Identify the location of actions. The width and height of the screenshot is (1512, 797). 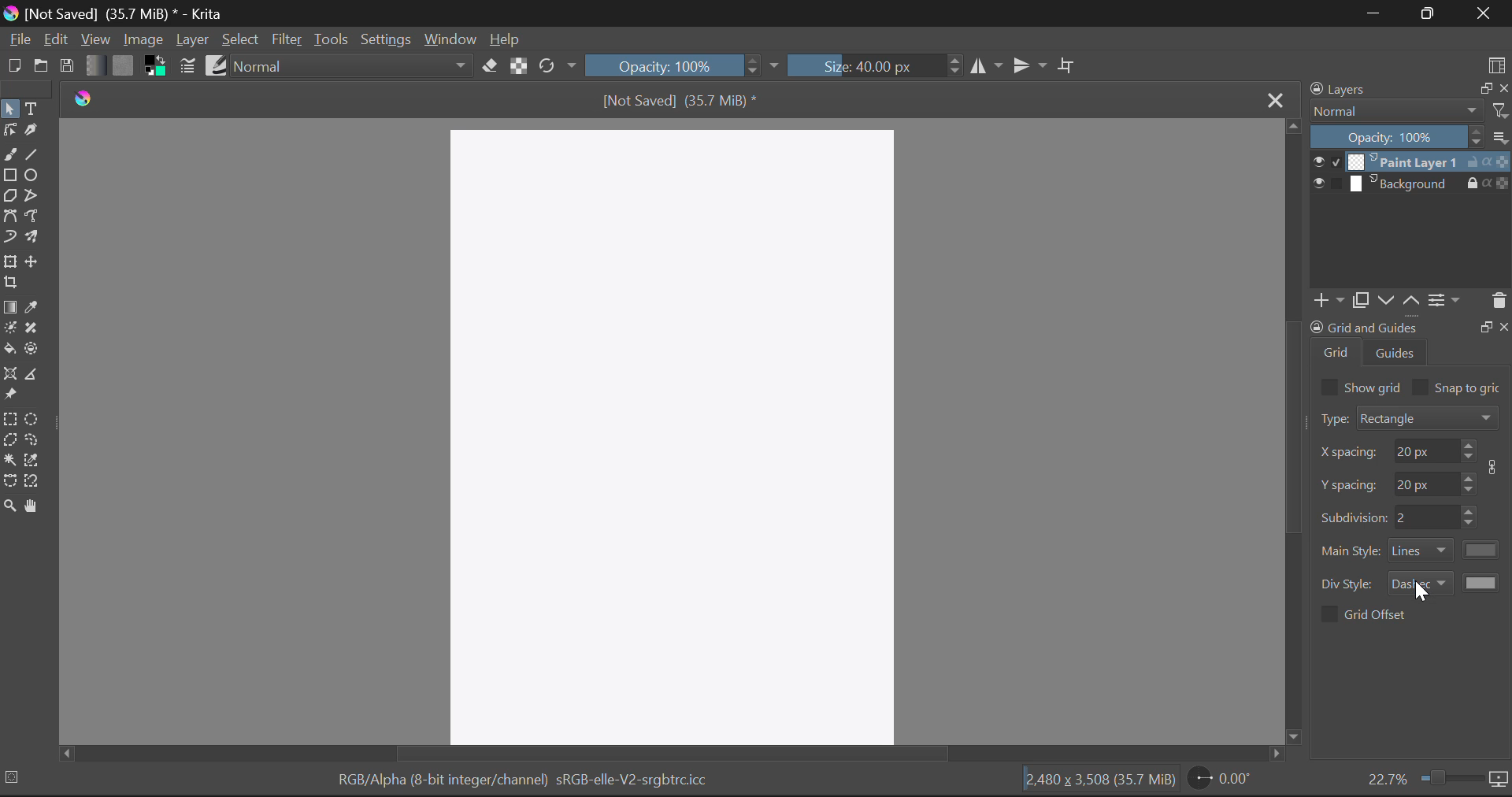
(1488, 161).